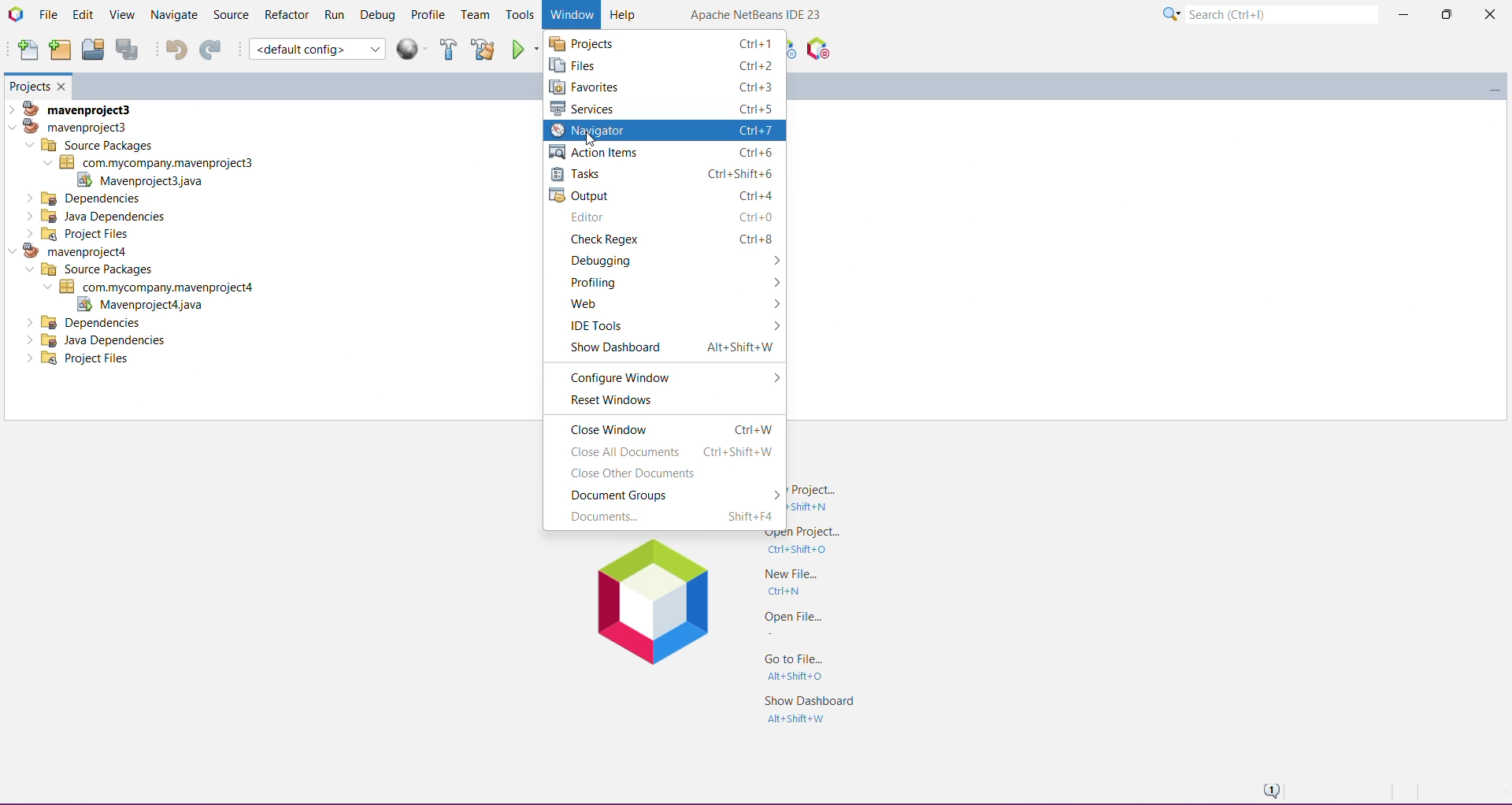 This screenshot has width=1512, height=805. Describe the element at coordinates (665, 350) in the screenshot. I see `Show Dashboard` at that location.